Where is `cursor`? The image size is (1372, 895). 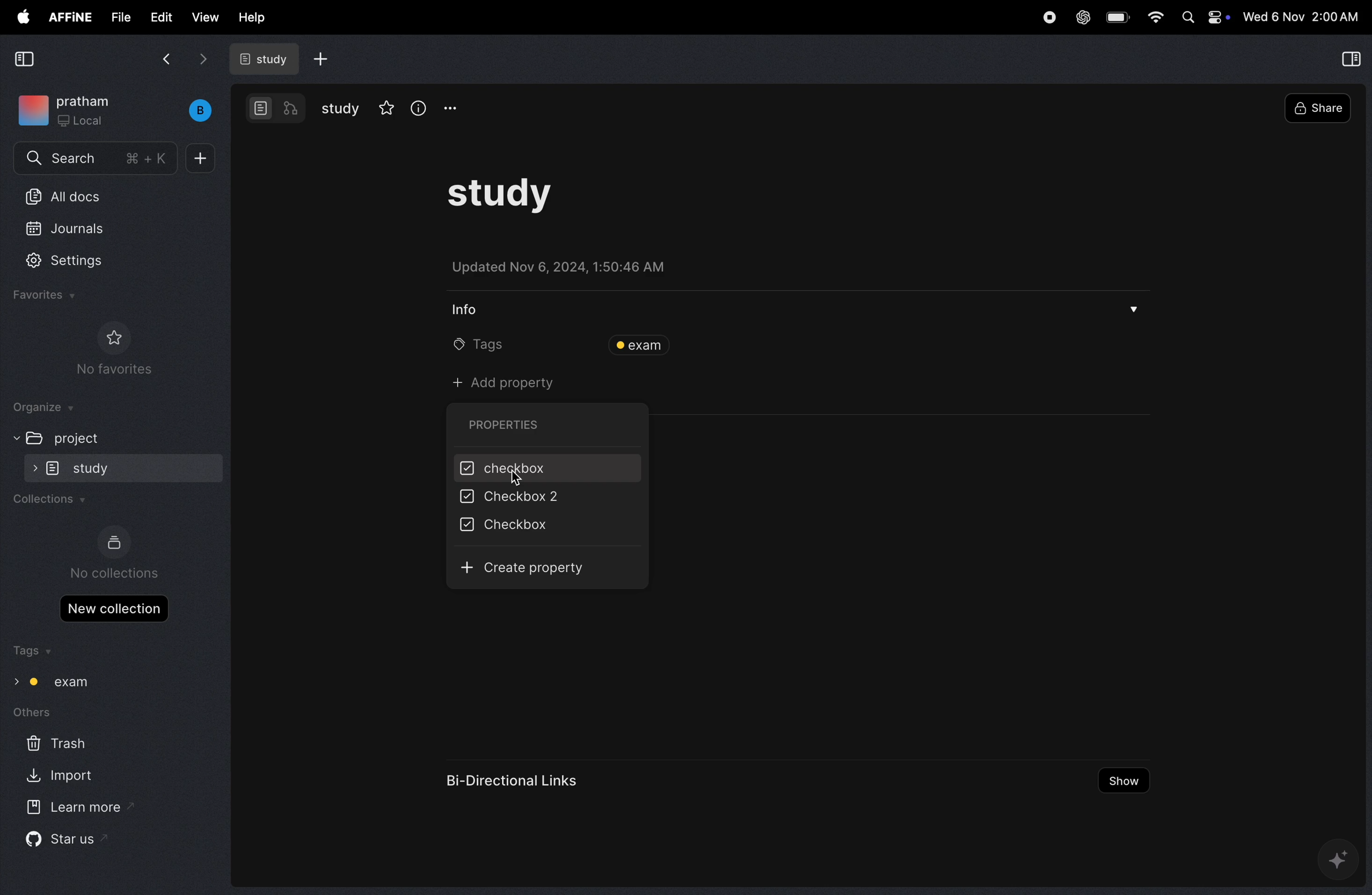
cursor is located at coordinates (514, 479).